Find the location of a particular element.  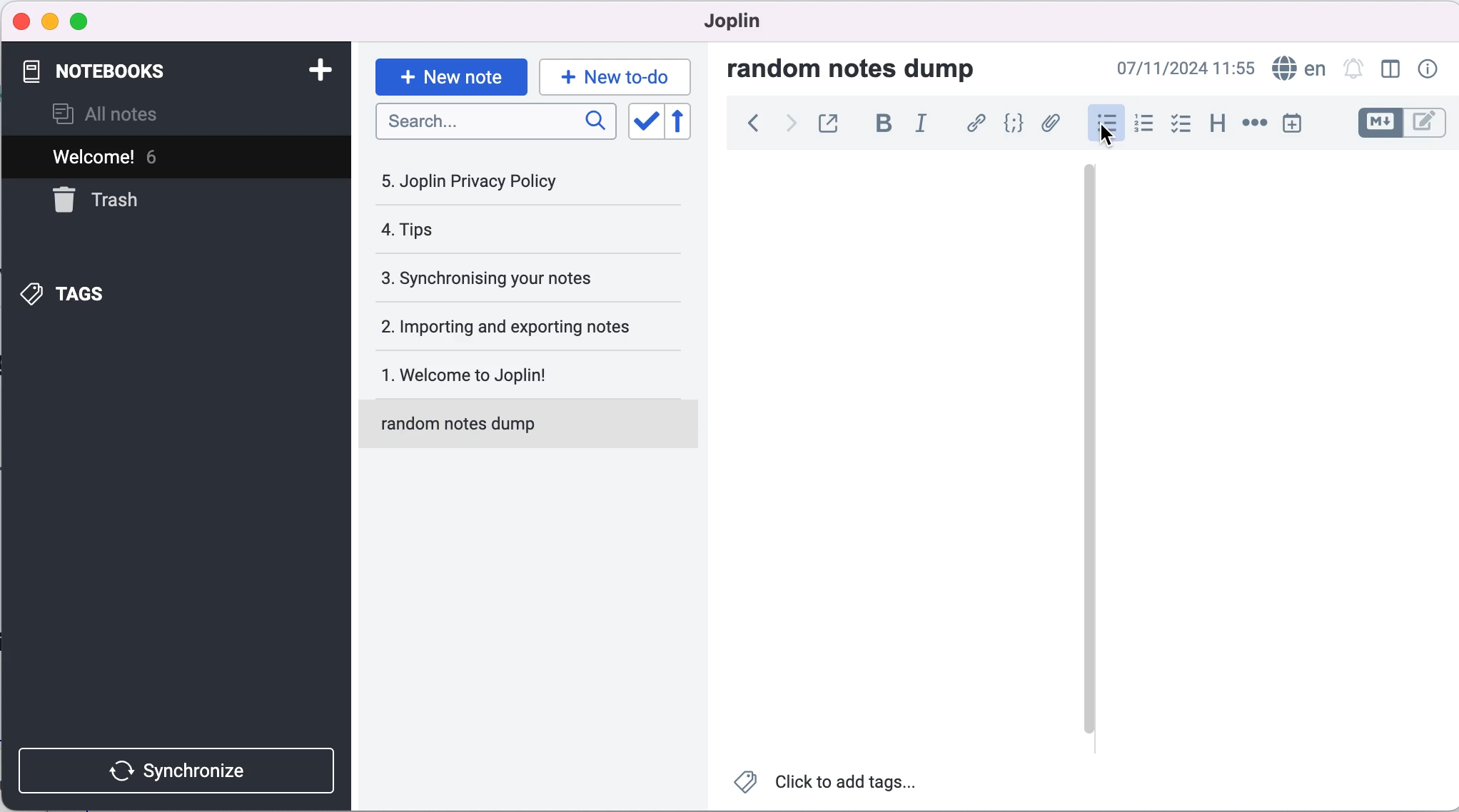

tags is located at coordinates (106, 293).